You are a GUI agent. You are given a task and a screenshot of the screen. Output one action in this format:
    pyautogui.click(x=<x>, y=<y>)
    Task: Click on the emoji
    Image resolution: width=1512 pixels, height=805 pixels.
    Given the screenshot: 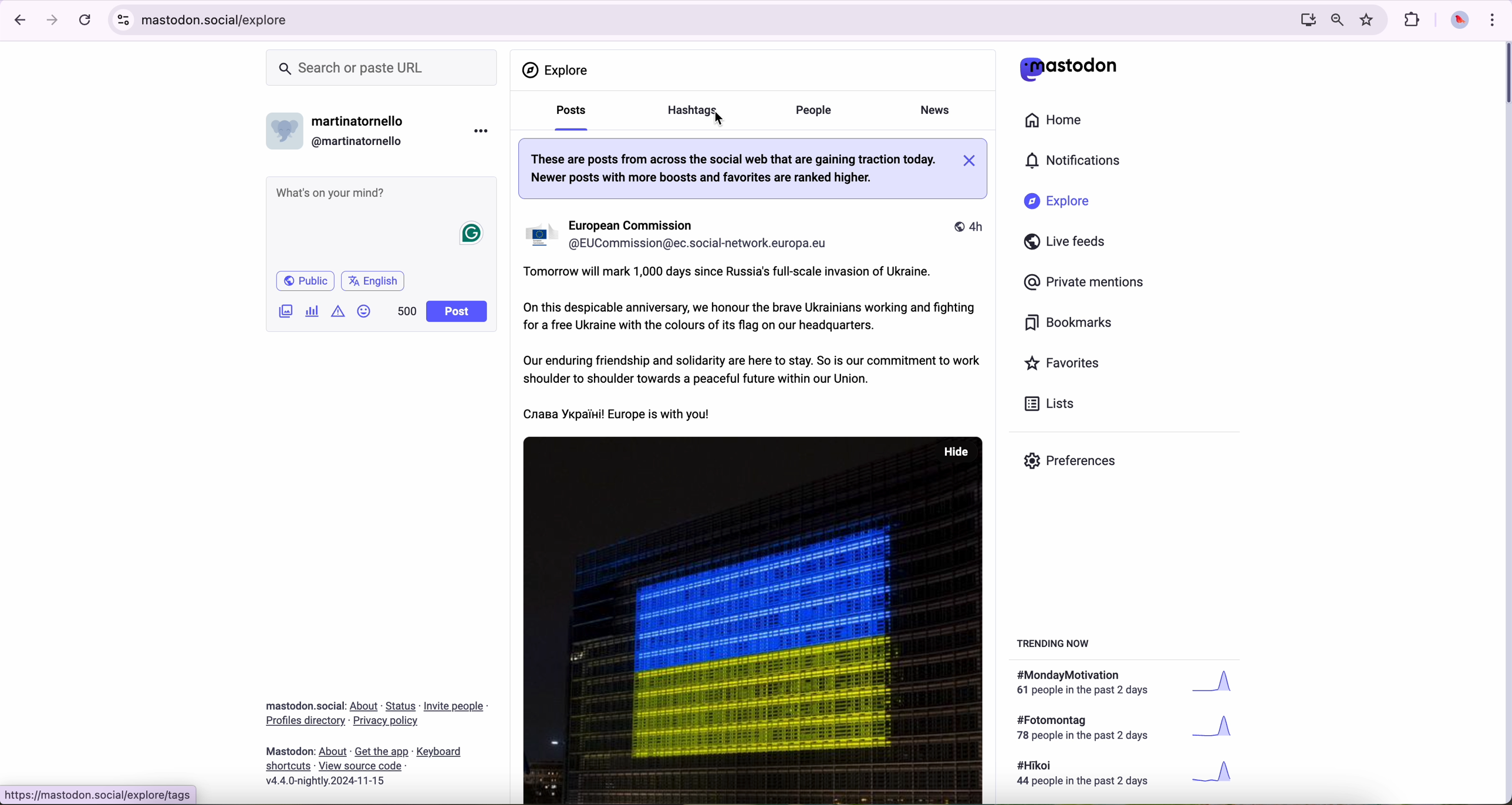 What is the action you would take?
    pyautogui.click(x=365, y=313)
    